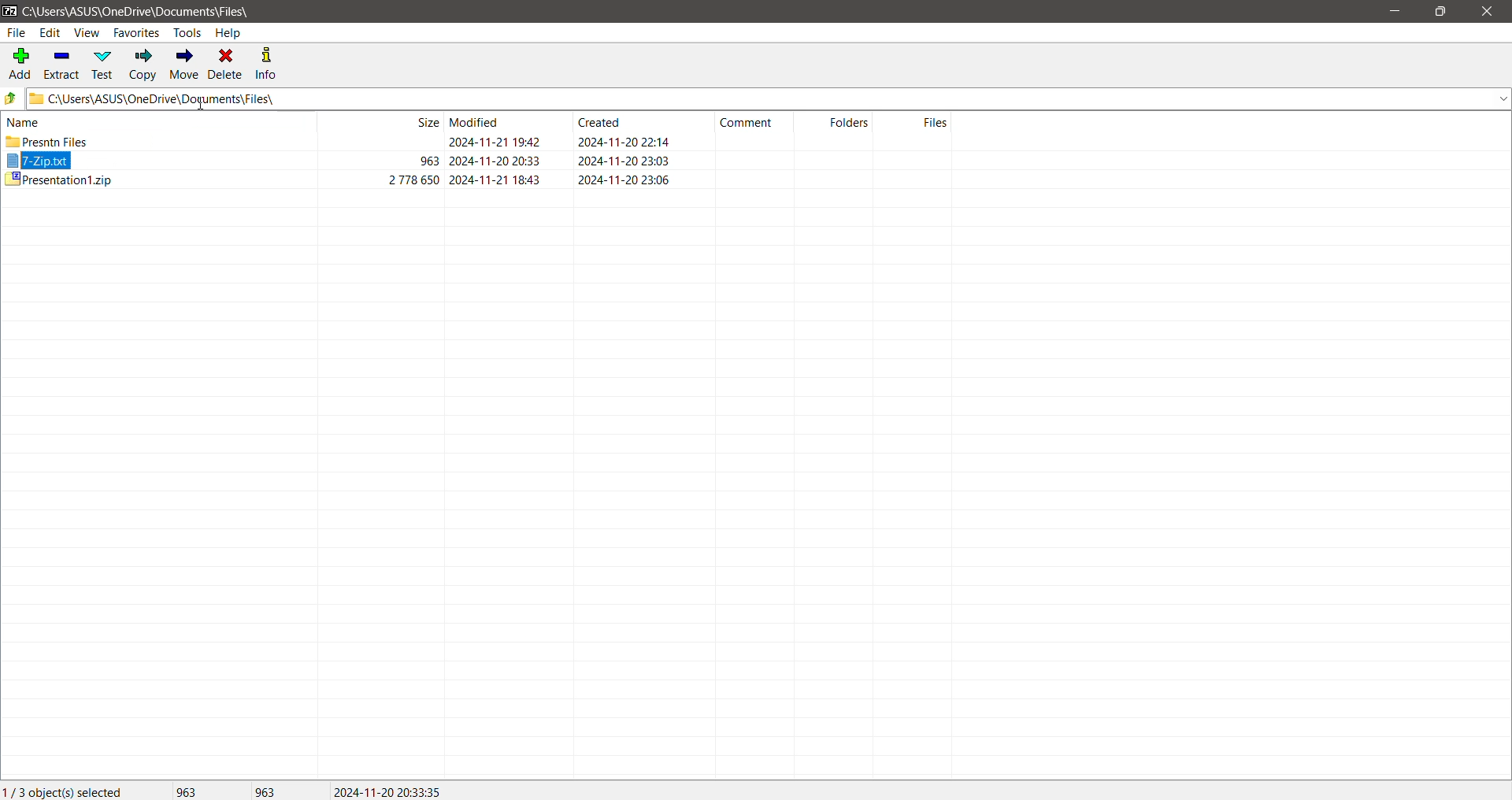  What do you see at coordinates (47, 141) in the screenshot?
I see `presntn files` at bounding box center [47, 141].